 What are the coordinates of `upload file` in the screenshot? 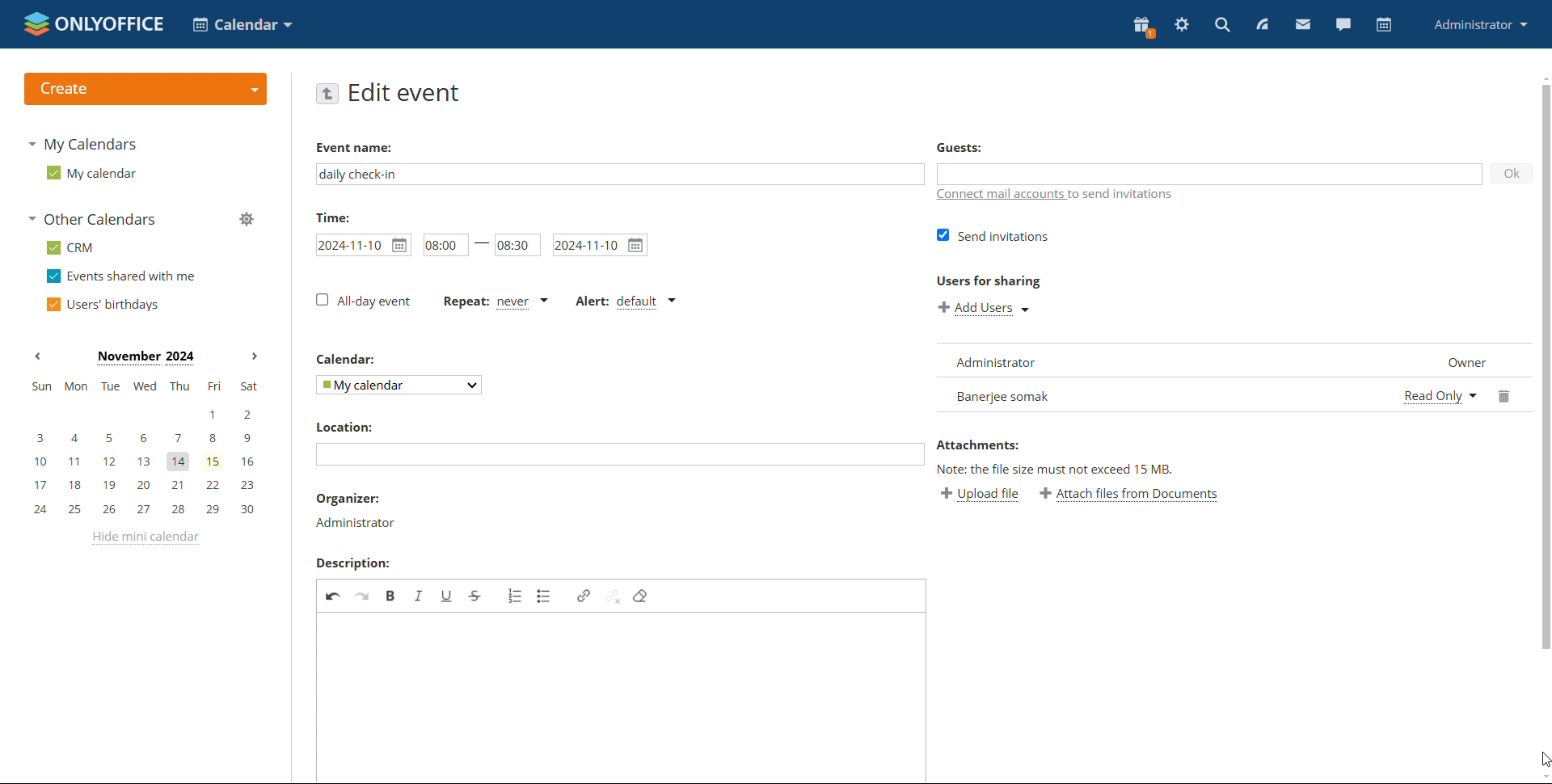 It's located at (967, 495).